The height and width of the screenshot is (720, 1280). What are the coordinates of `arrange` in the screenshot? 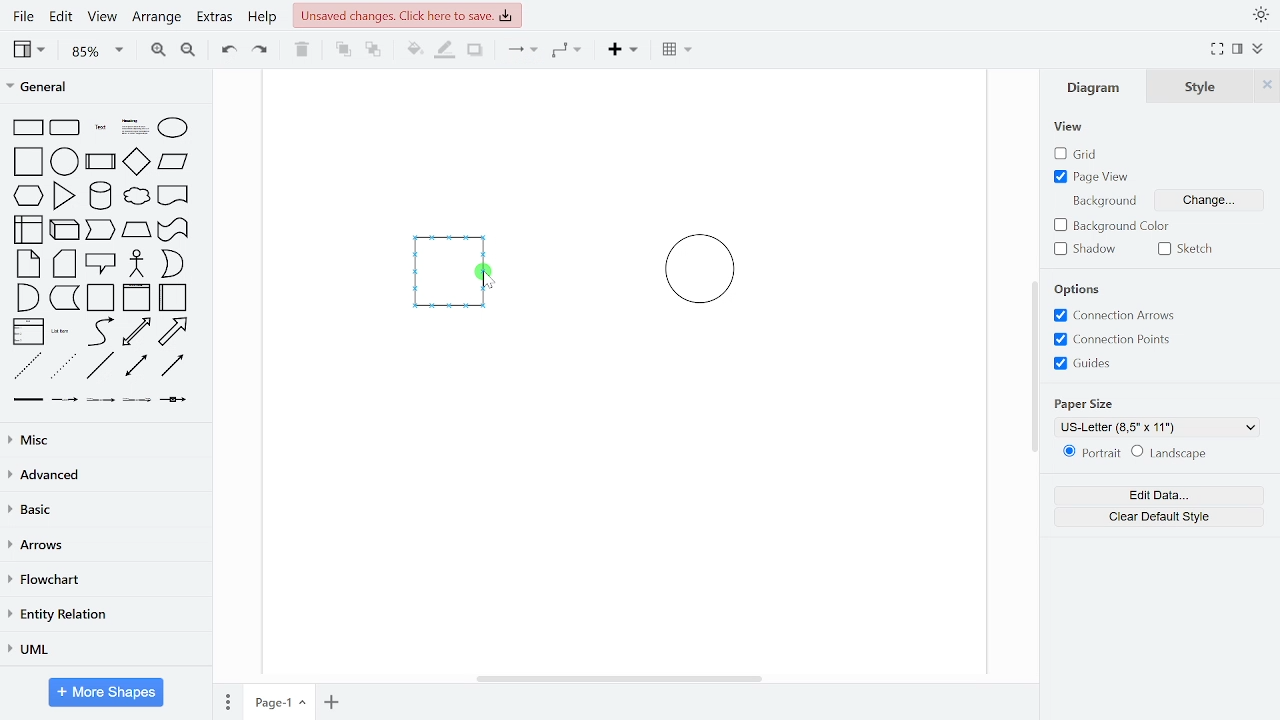 It's located at (157, 18).